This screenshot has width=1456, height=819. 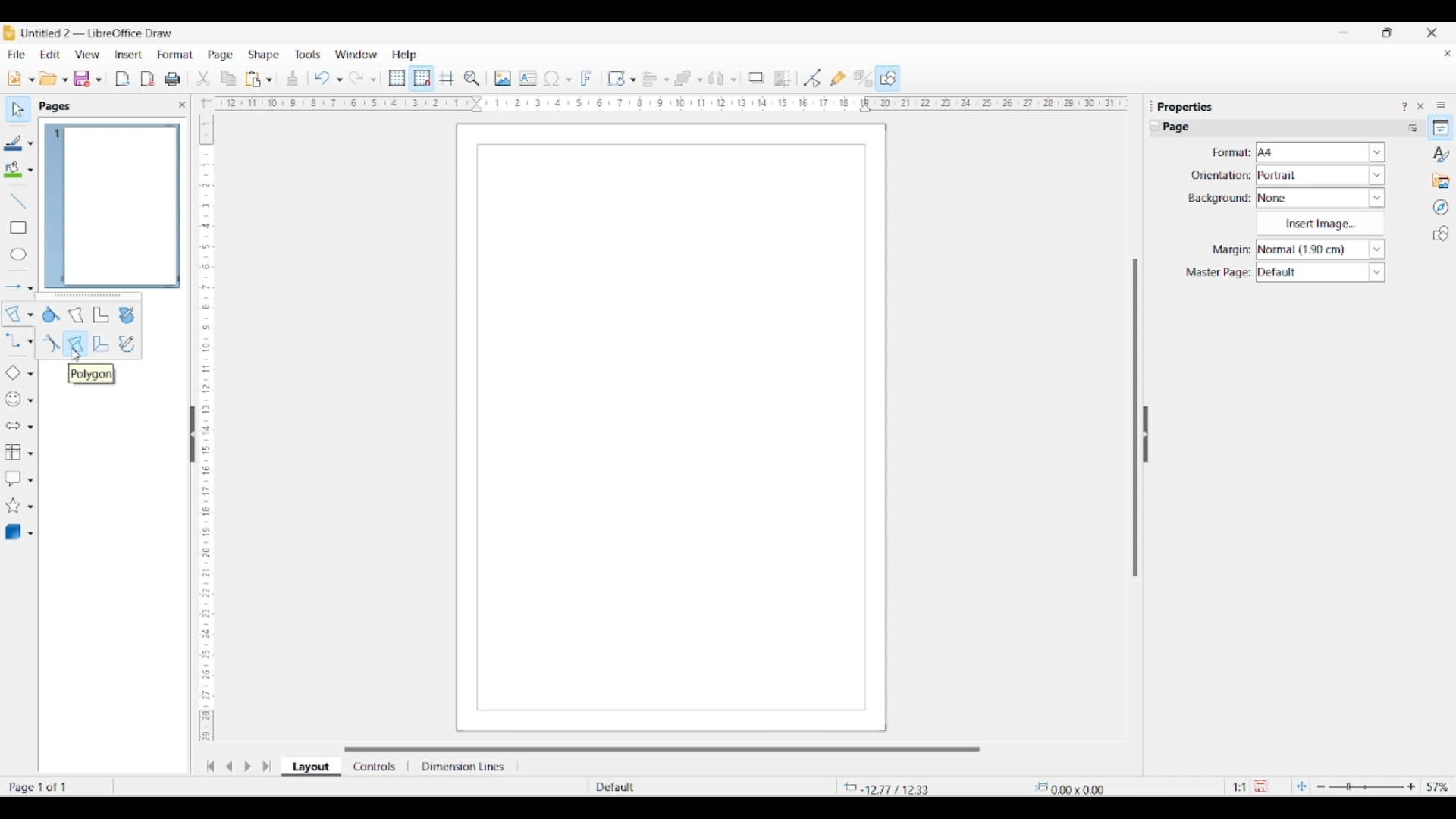 What do you see at coordinates (464, 767) in the screenshot?
I see `Dimension lines` at bounding box center [464, 767].